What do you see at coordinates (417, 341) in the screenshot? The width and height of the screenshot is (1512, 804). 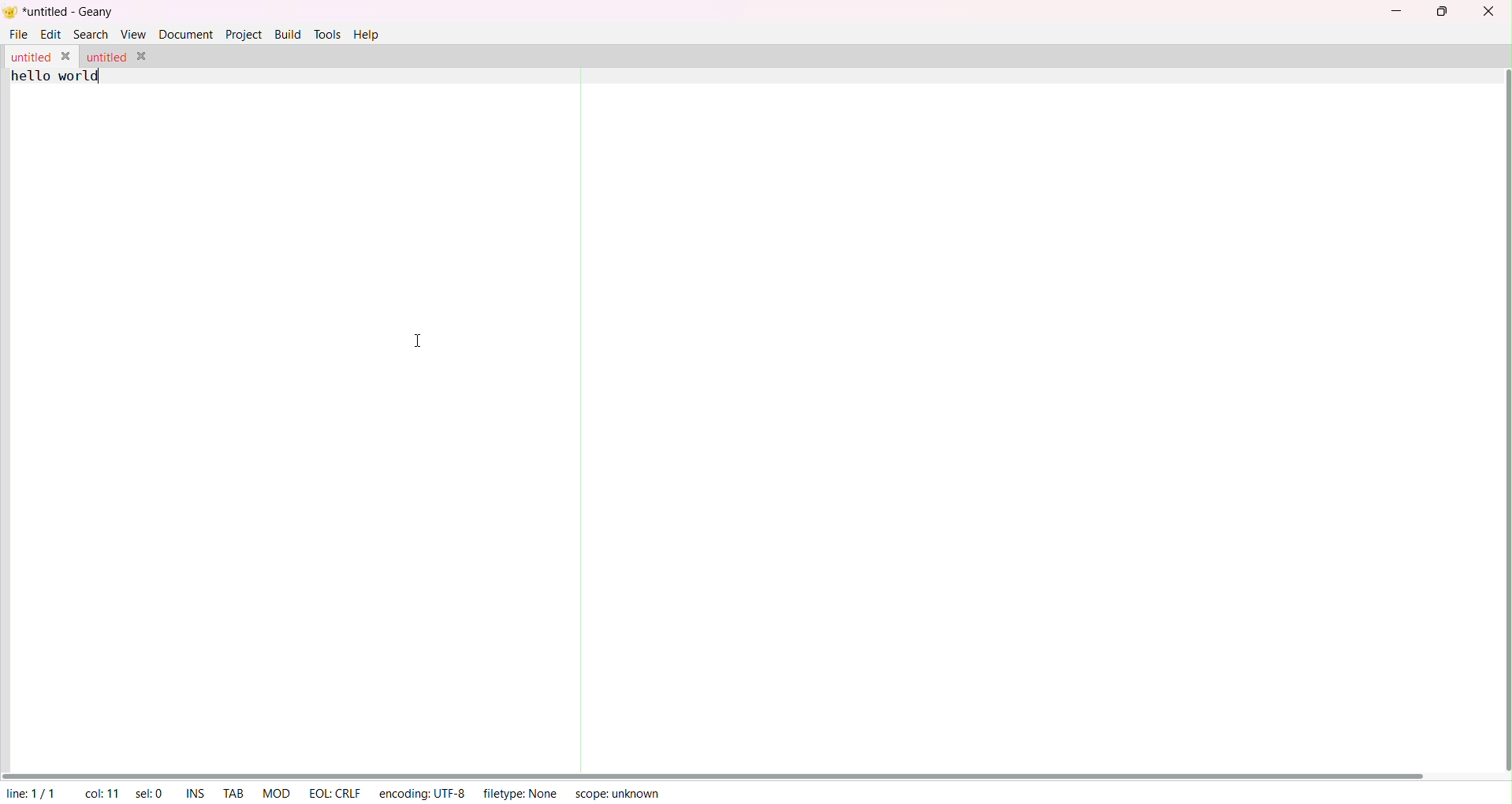 I see `cursor` at bounding box center [417, 341].